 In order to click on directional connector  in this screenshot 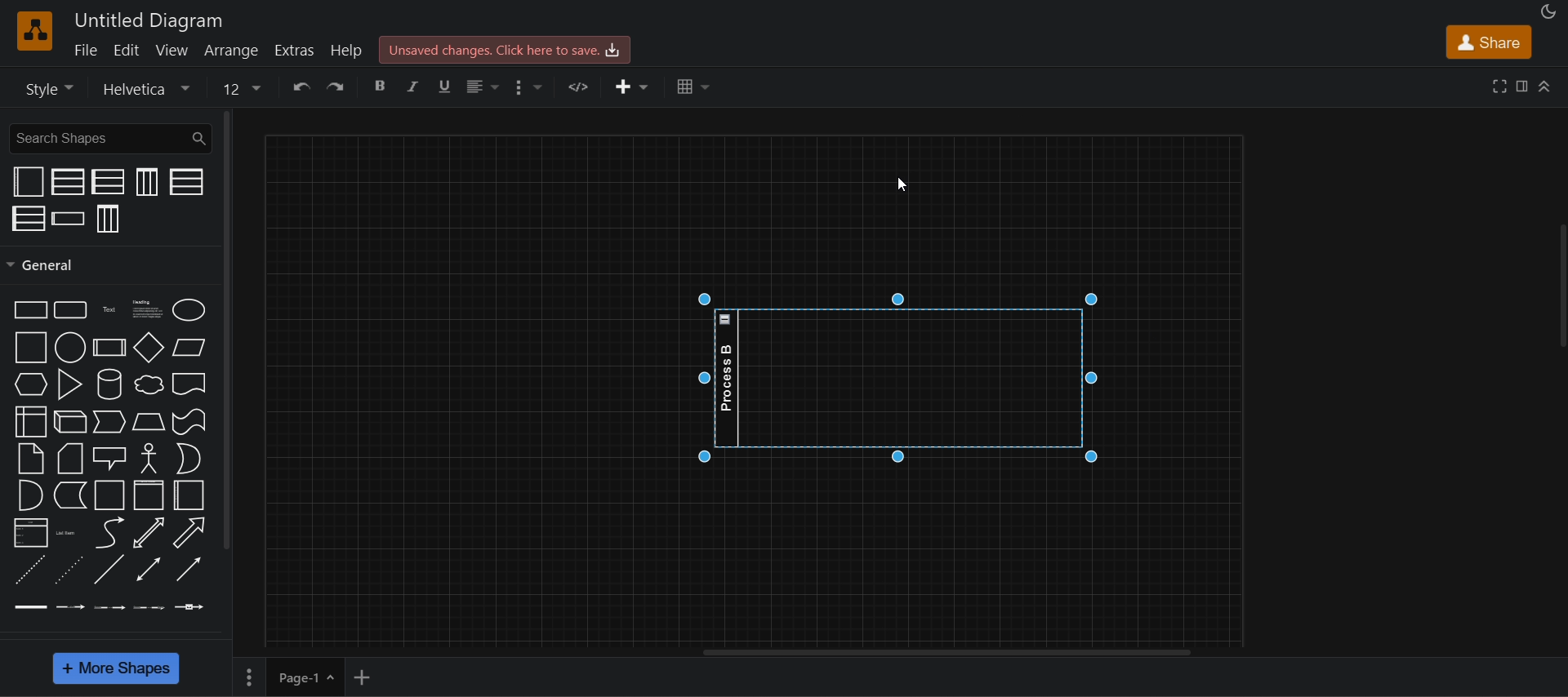, I will do `click(189, 570)`.